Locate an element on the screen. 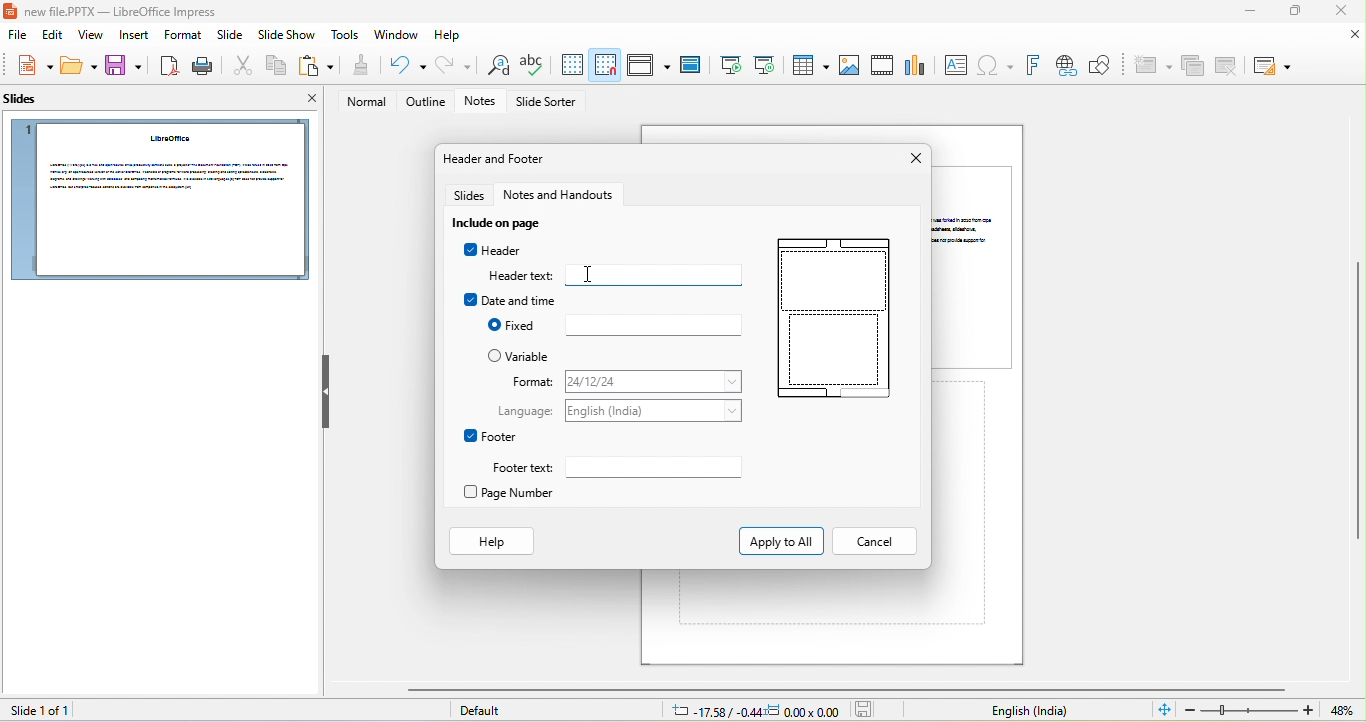 The width and height of the screenshot is (1366, 722). fixed is located at coordinates (652, 325).